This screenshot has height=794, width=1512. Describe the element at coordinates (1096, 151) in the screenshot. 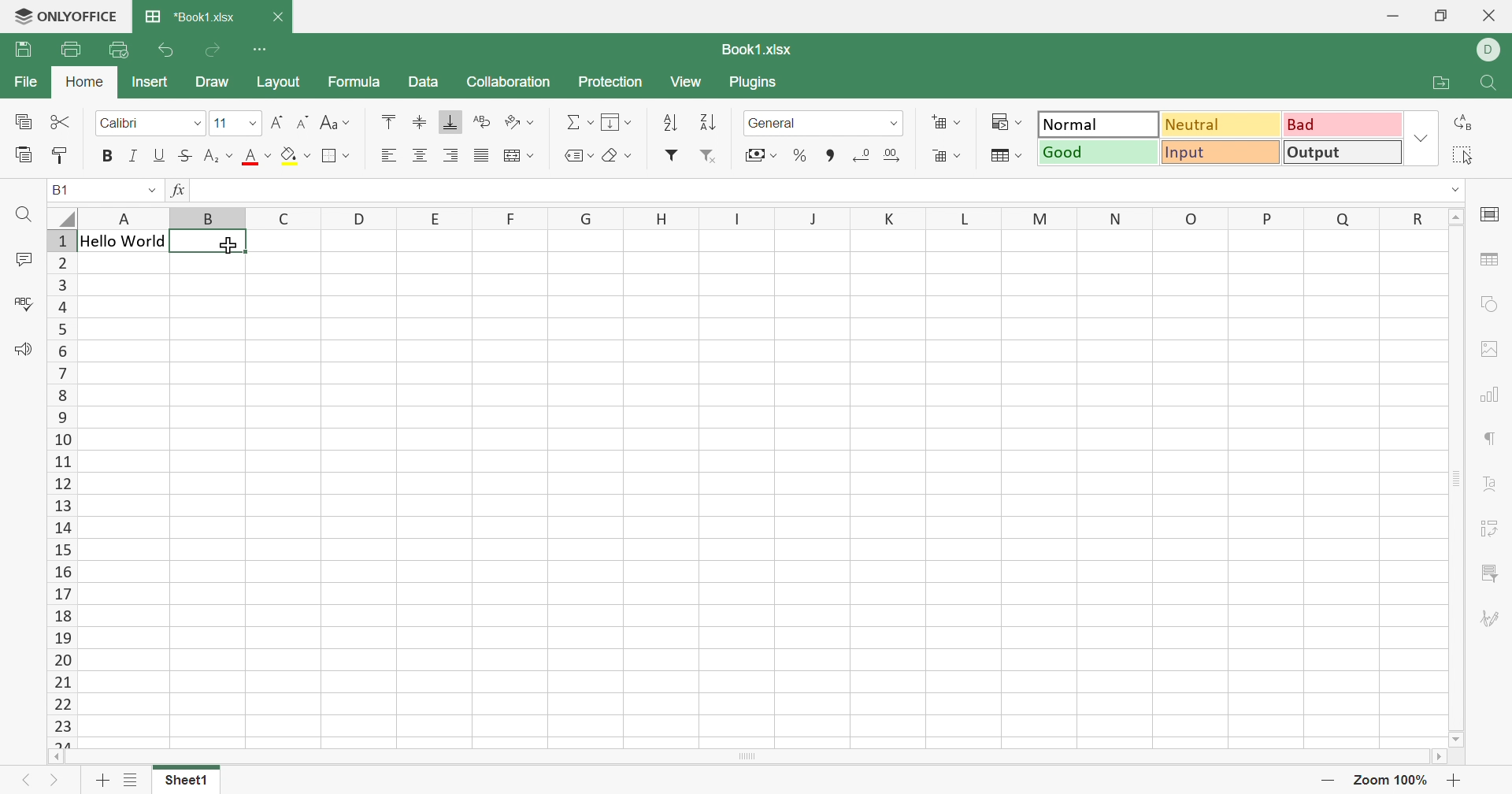

I see `Good` at that location.